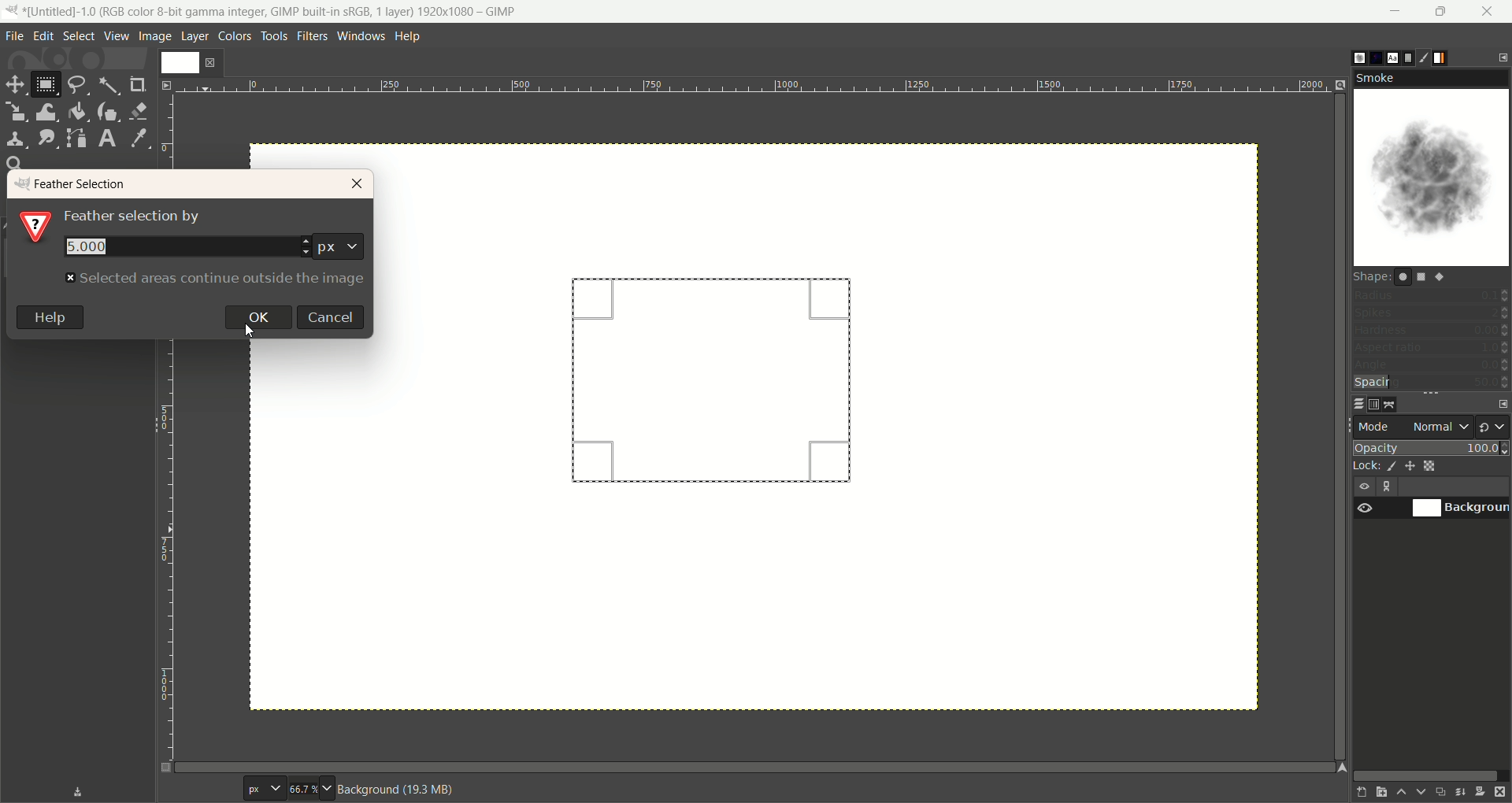  What do you see at coordinates (1432, 169) in the screenshot?
I see `smoke` at bounding box center [1432, 169].